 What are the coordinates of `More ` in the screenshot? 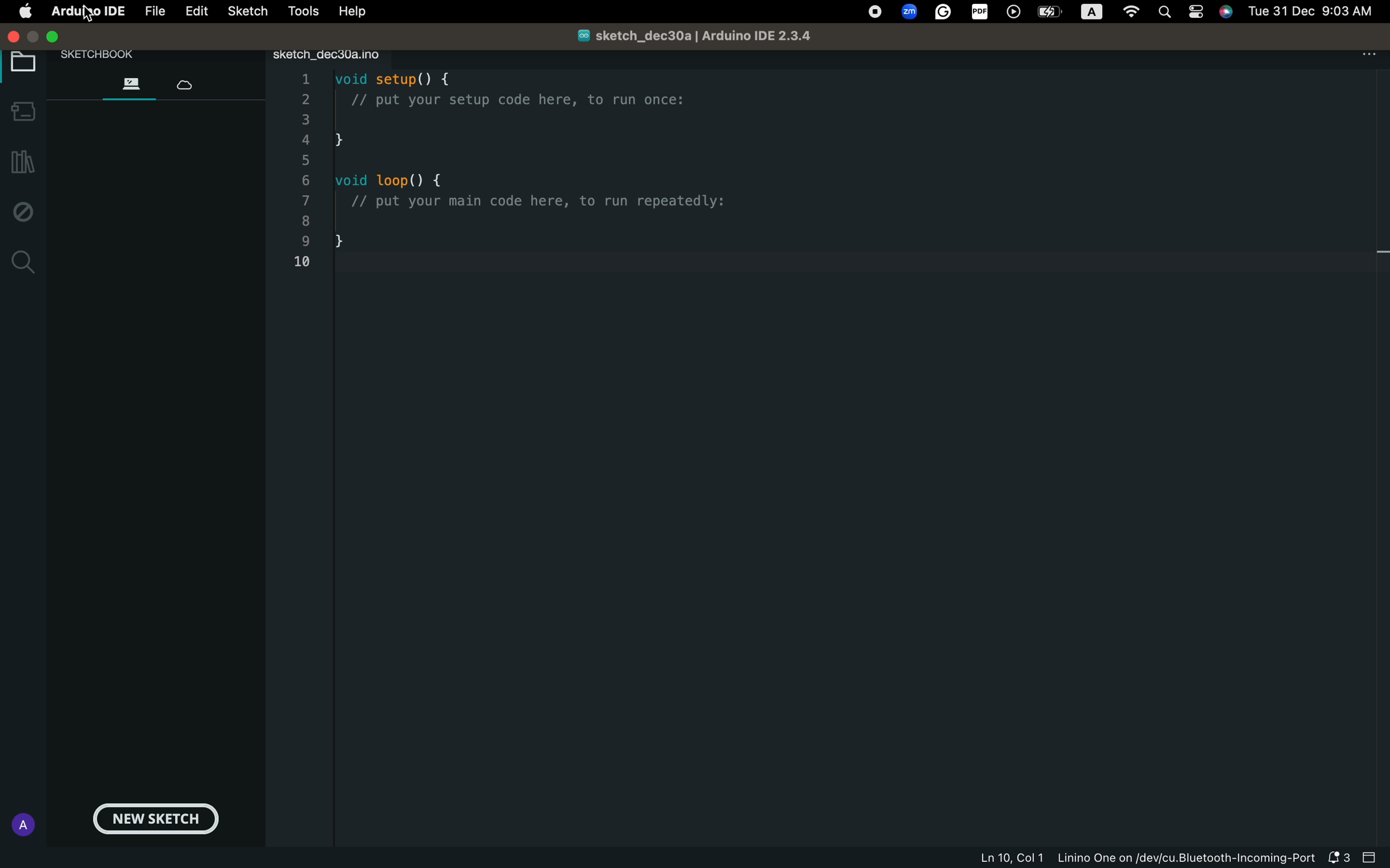 It's located at (1368, 53).